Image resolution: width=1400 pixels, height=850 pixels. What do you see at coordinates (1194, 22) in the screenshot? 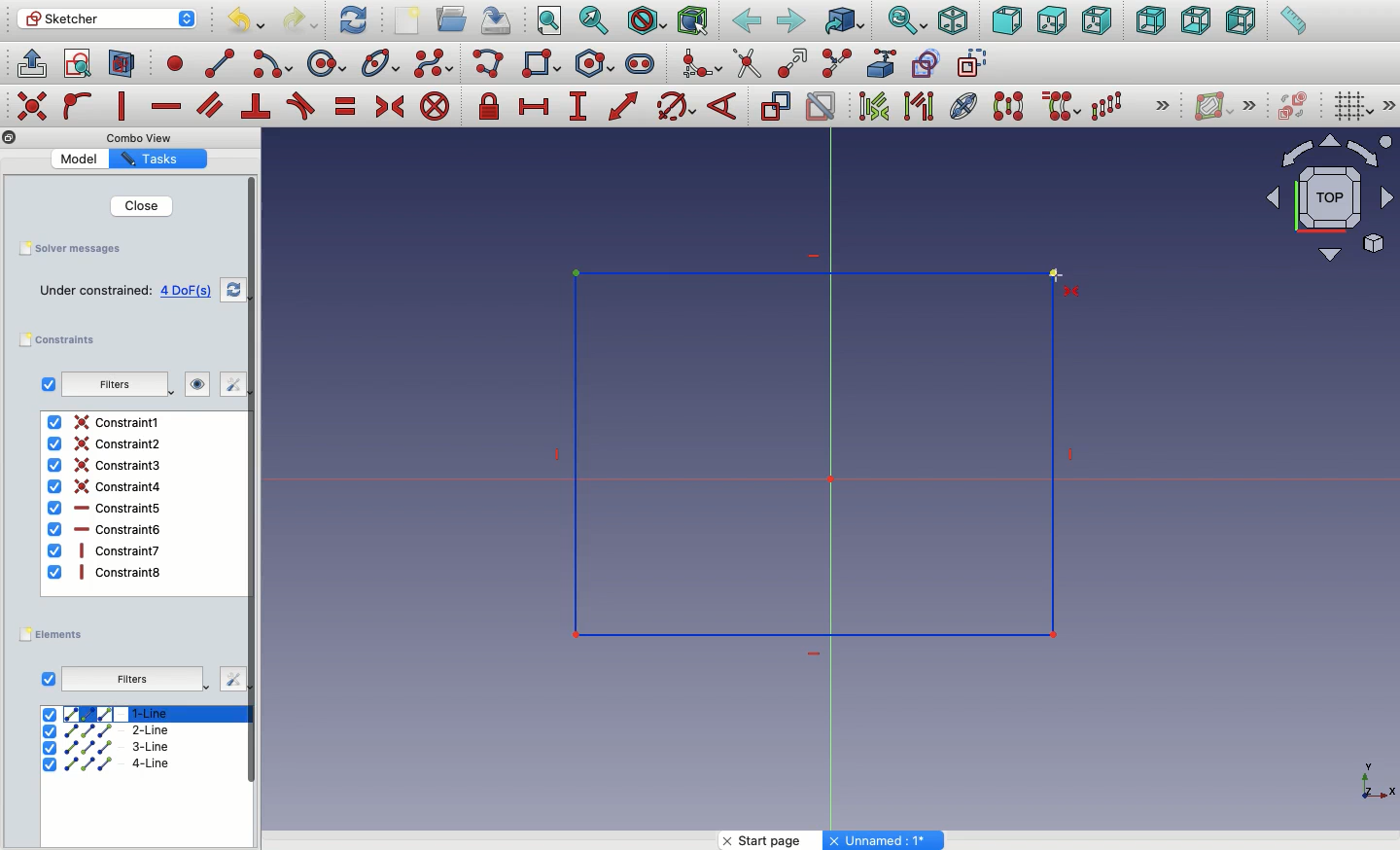
I see `Bottom` at bounding box center [1194, 22].